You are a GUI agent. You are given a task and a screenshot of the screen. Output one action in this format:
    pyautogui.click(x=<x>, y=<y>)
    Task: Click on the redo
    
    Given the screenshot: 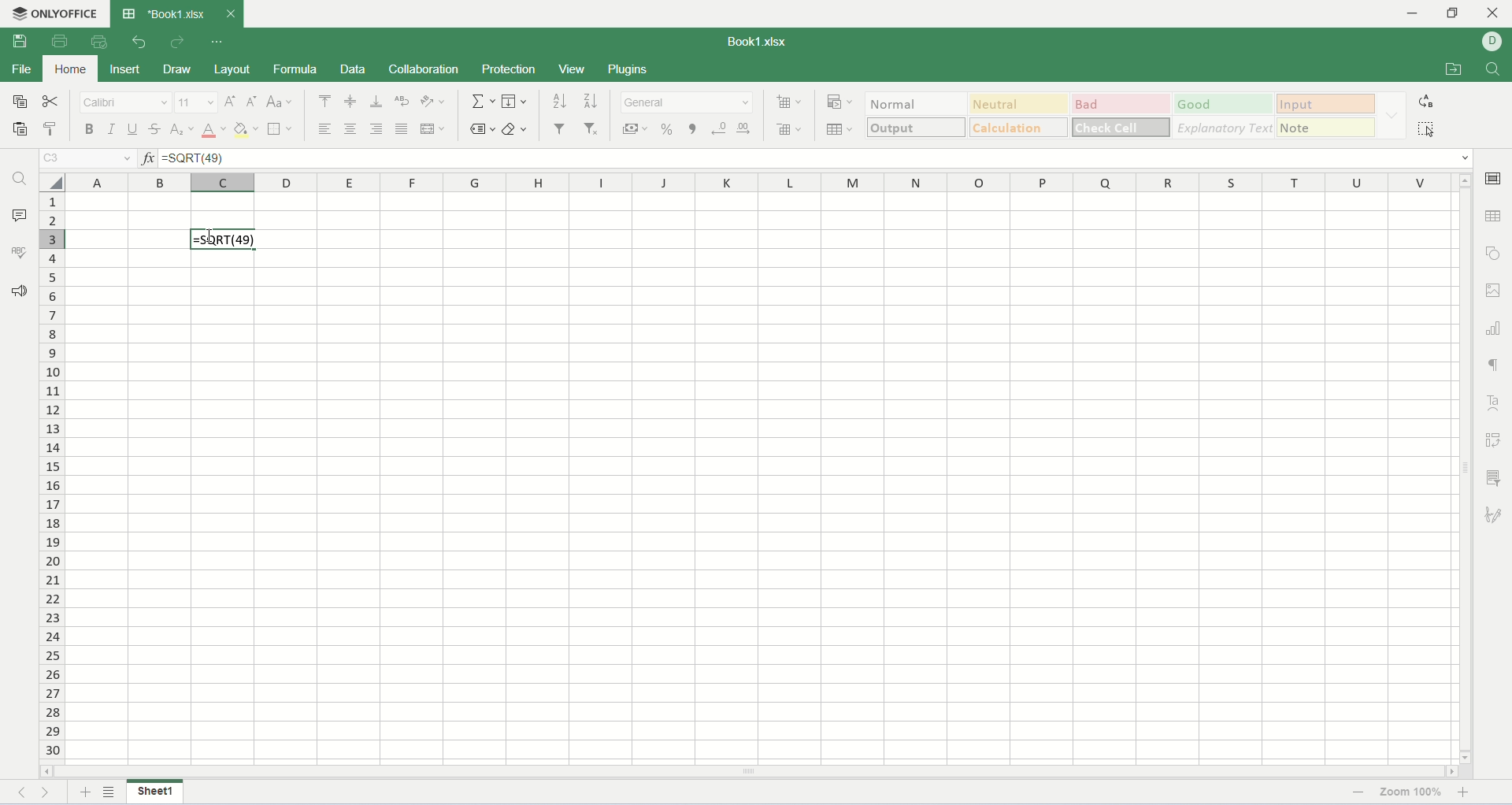 What is the action you would take?
    pyautogui.click(x=181, y=43)
    